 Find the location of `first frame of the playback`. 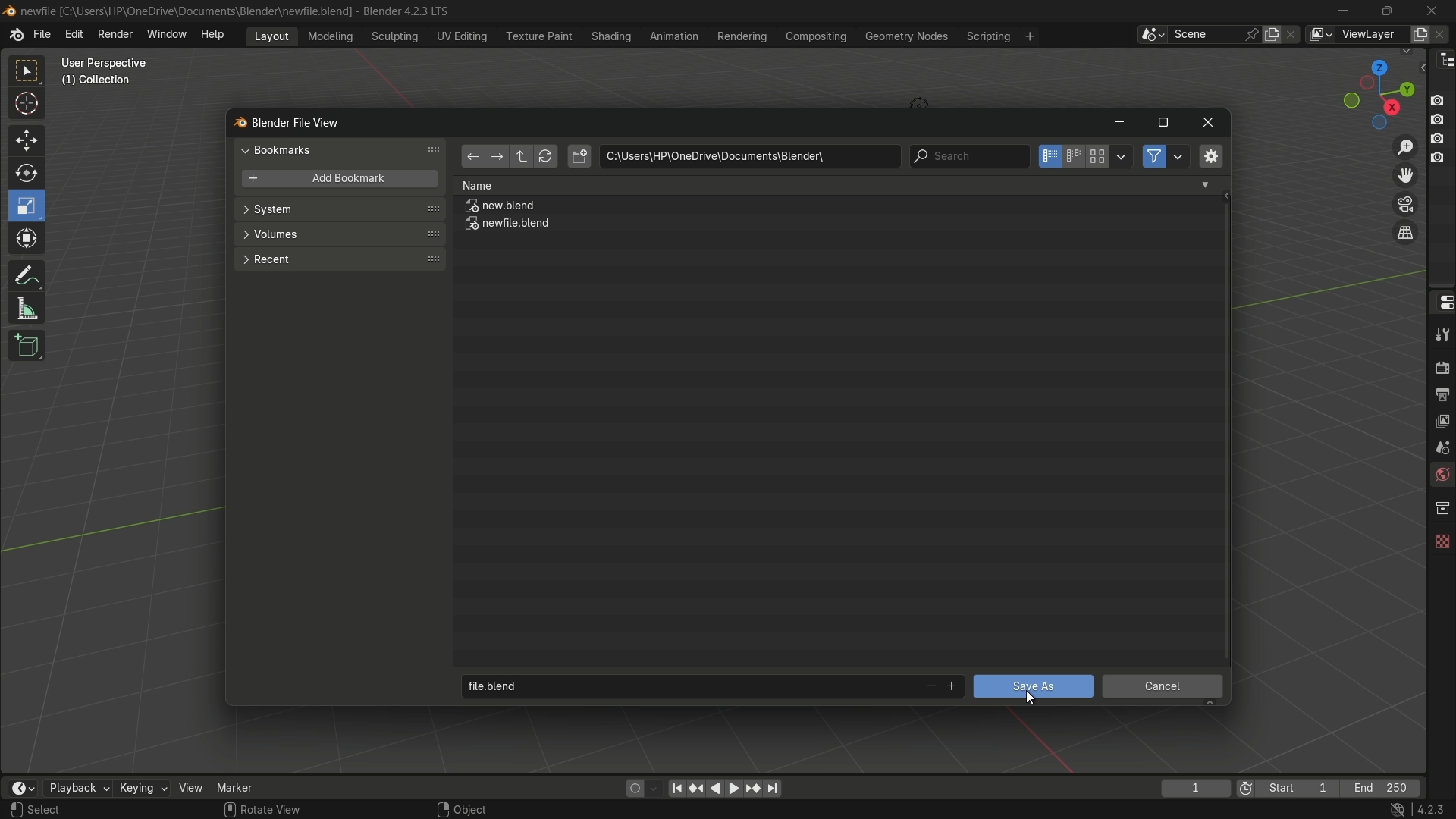

first frame of the playback is located at coordinates (1288, 788).